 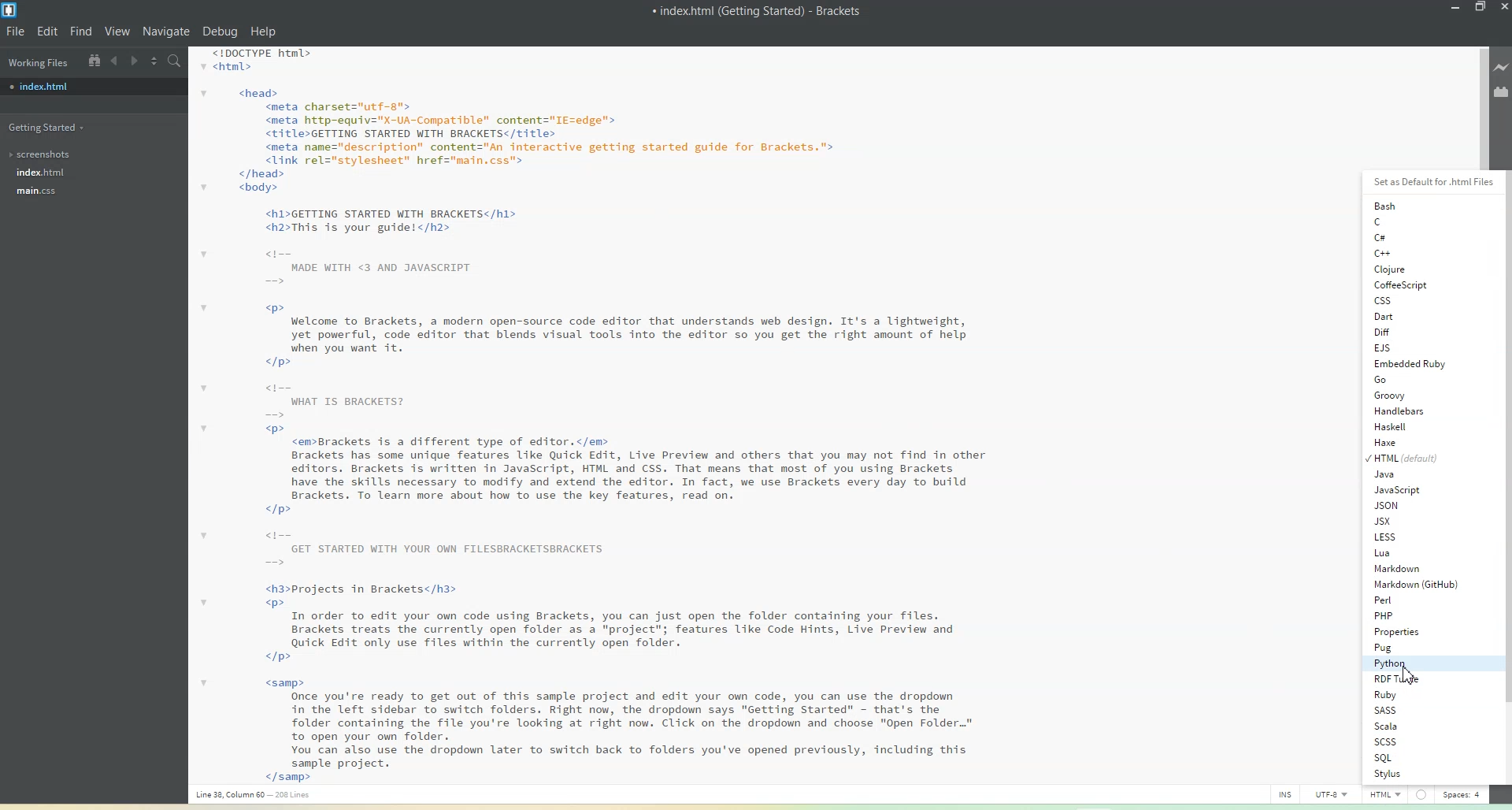 What do you see at coordinates (1503, 65) in the screenshot?
I see `Live preview` at bounding box center [1503, 65].